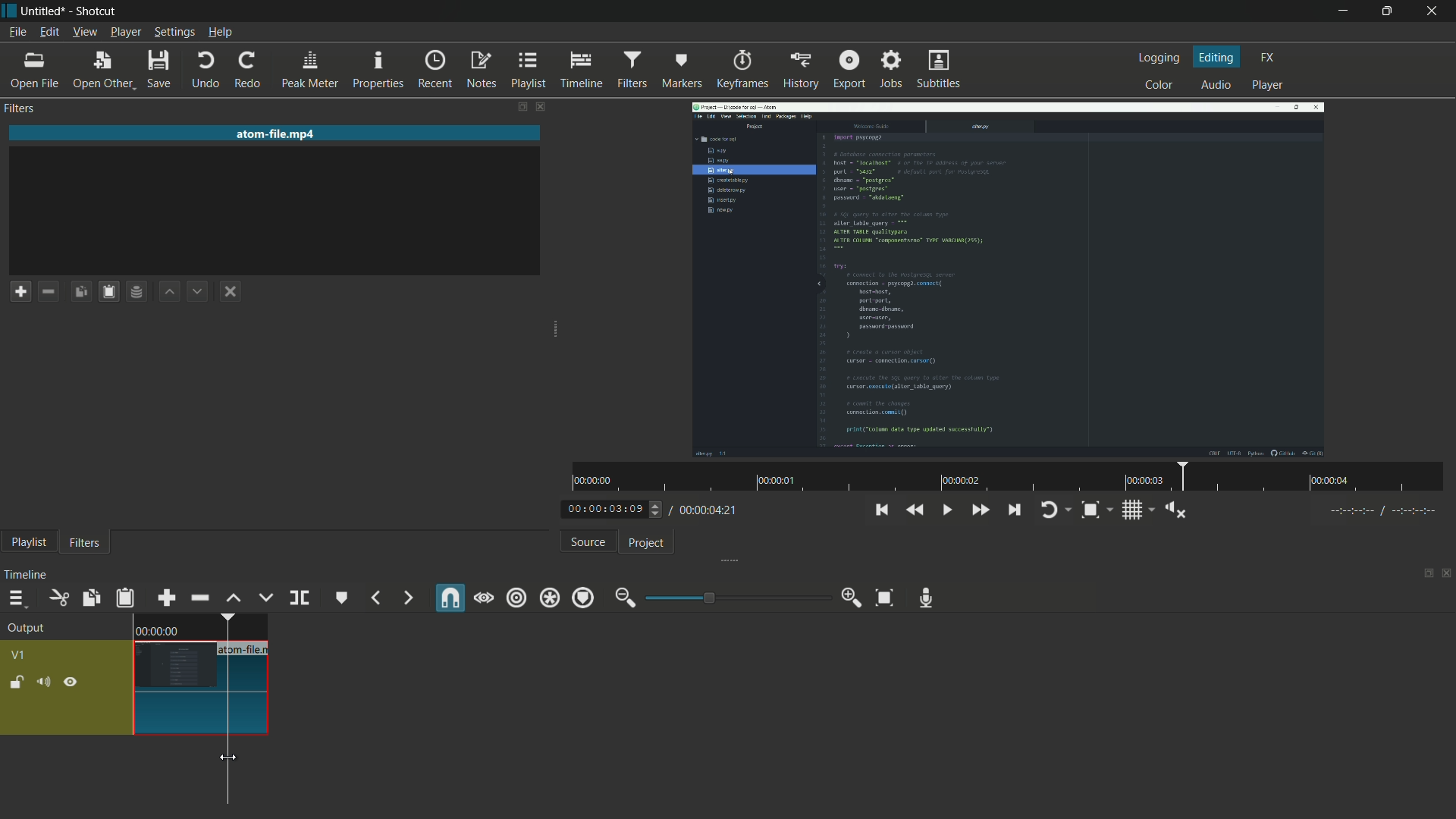 The width and height of the screenshot is (1456, 819). Describe the element at coordinates (581, 71) in the screenshot. I see `timeline` at that location.